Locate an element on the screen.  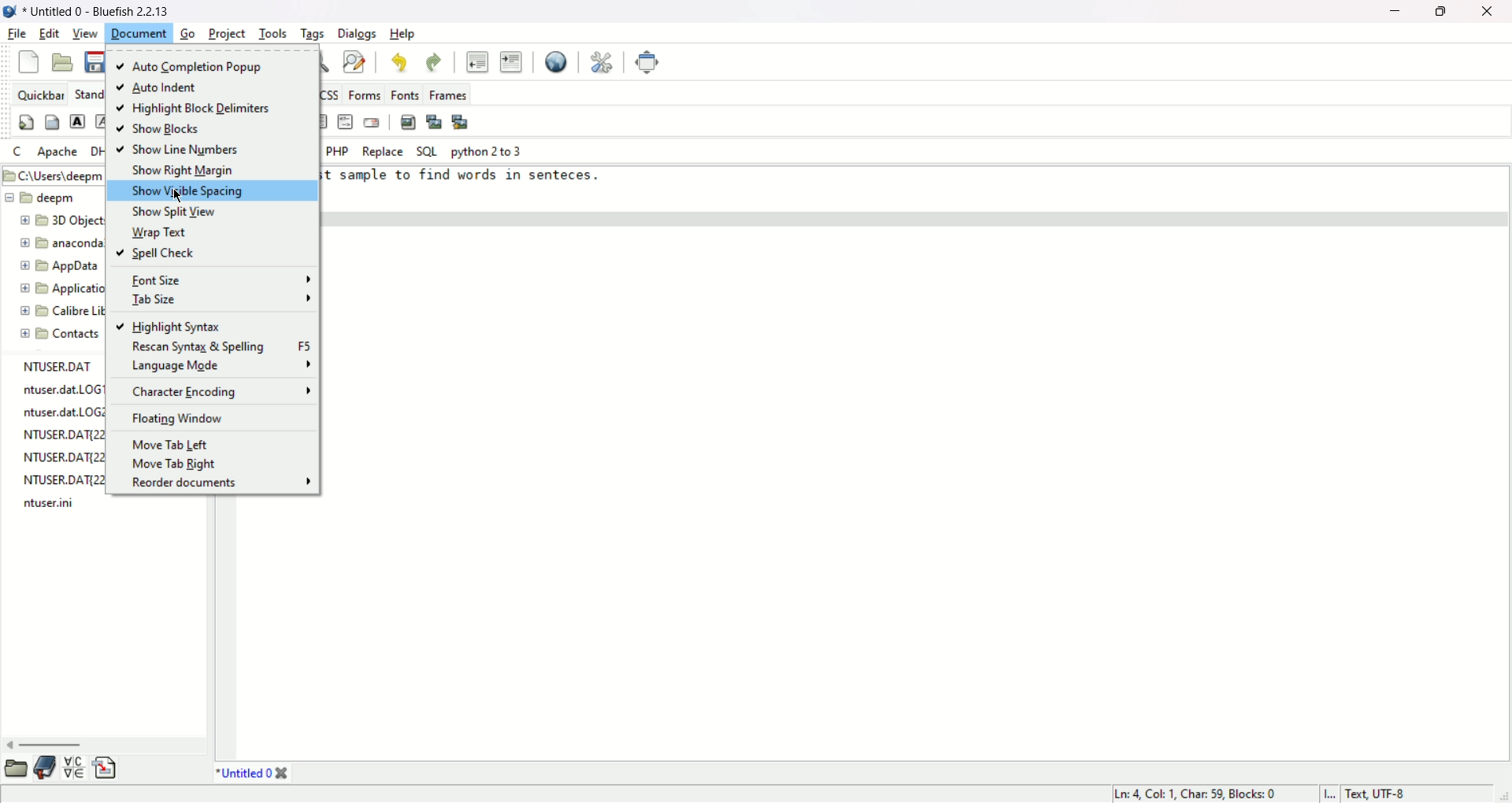
AppData is located at coordinates (54, 266).